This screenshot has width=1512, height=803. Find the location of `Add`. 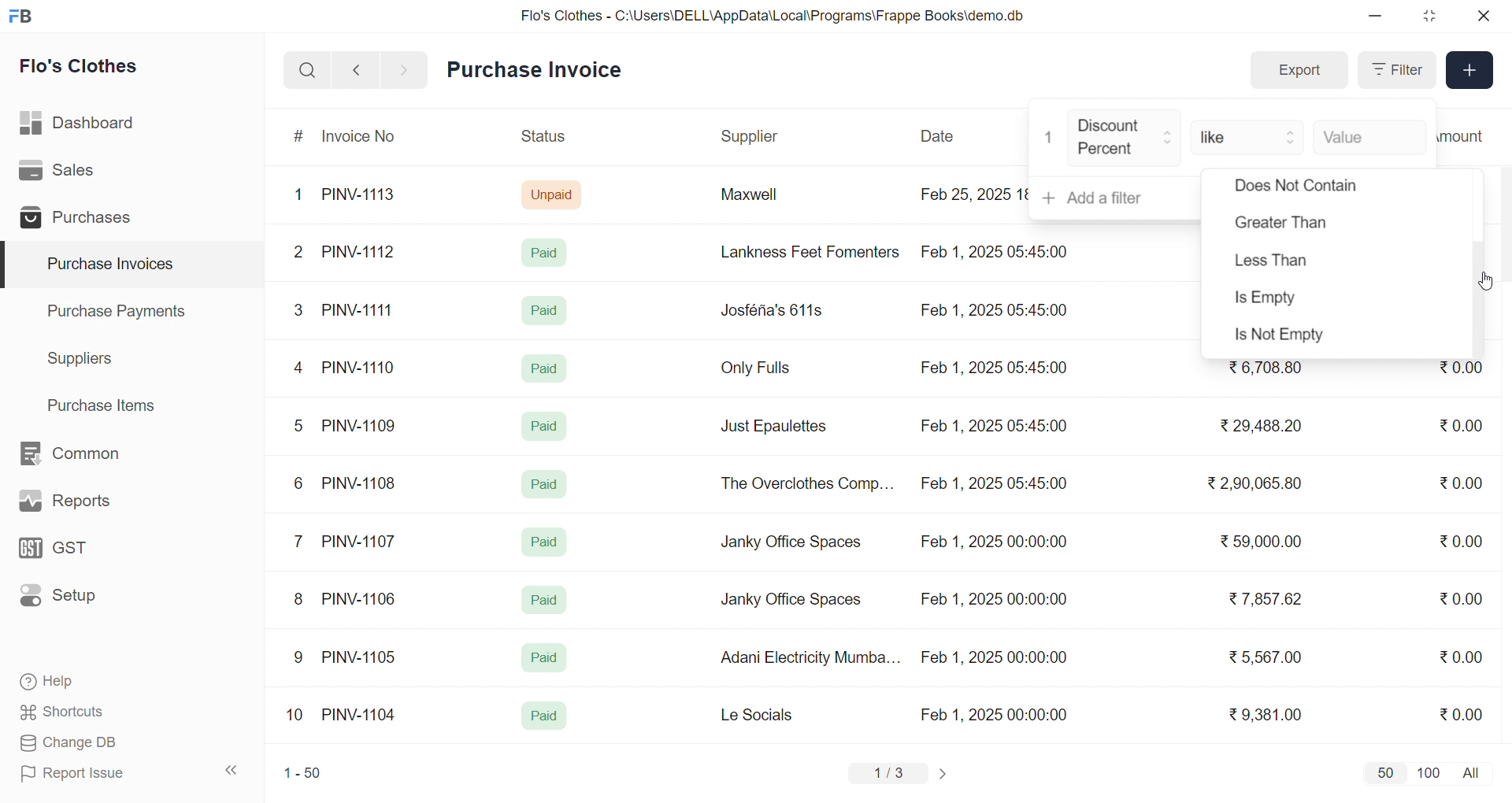

Add is located at coordinates (1470, 71).